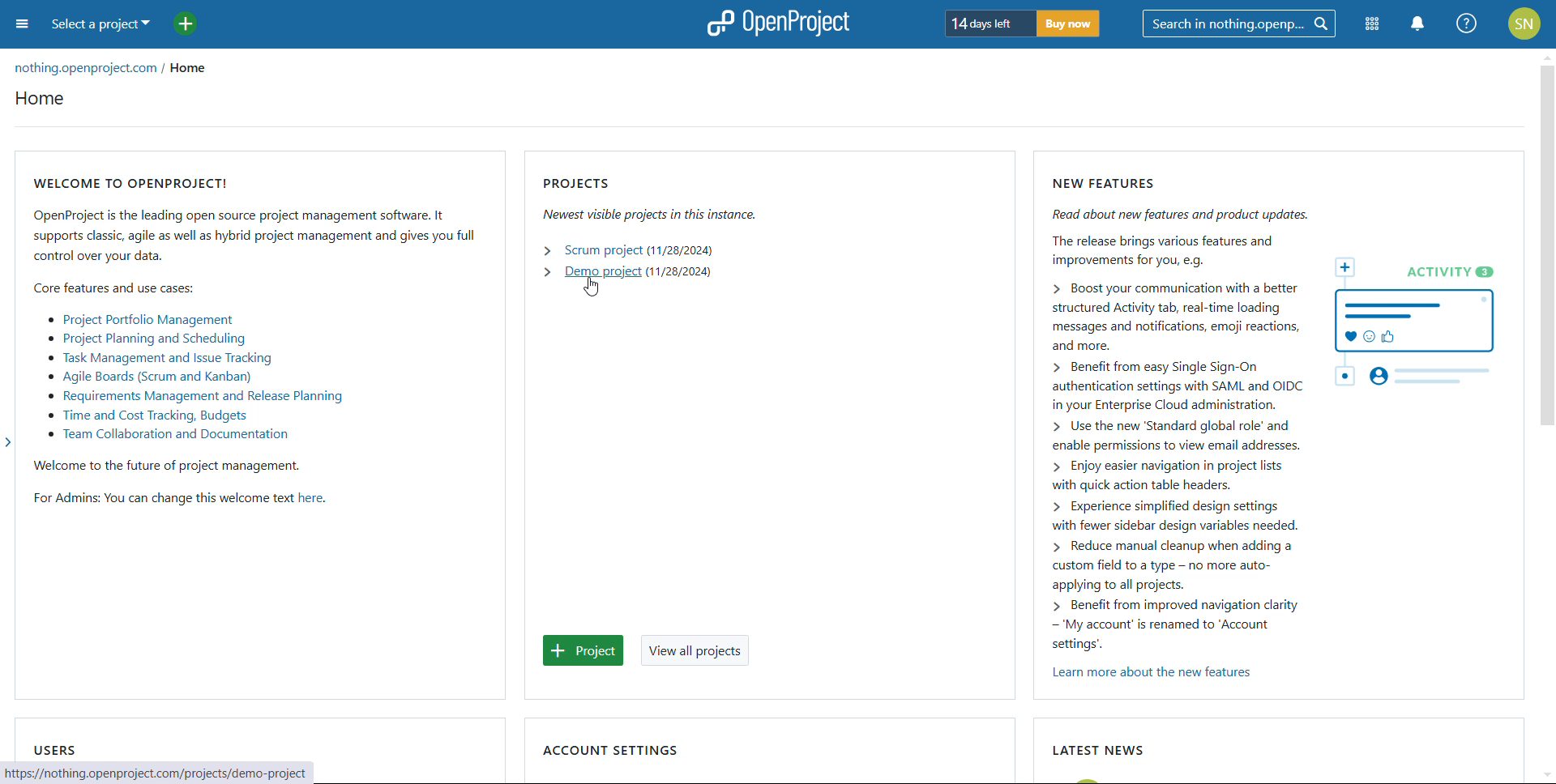 Image resolution: width=1556 pixels, height=784 pixels. I want to click on buy now, so click(1069, 24).